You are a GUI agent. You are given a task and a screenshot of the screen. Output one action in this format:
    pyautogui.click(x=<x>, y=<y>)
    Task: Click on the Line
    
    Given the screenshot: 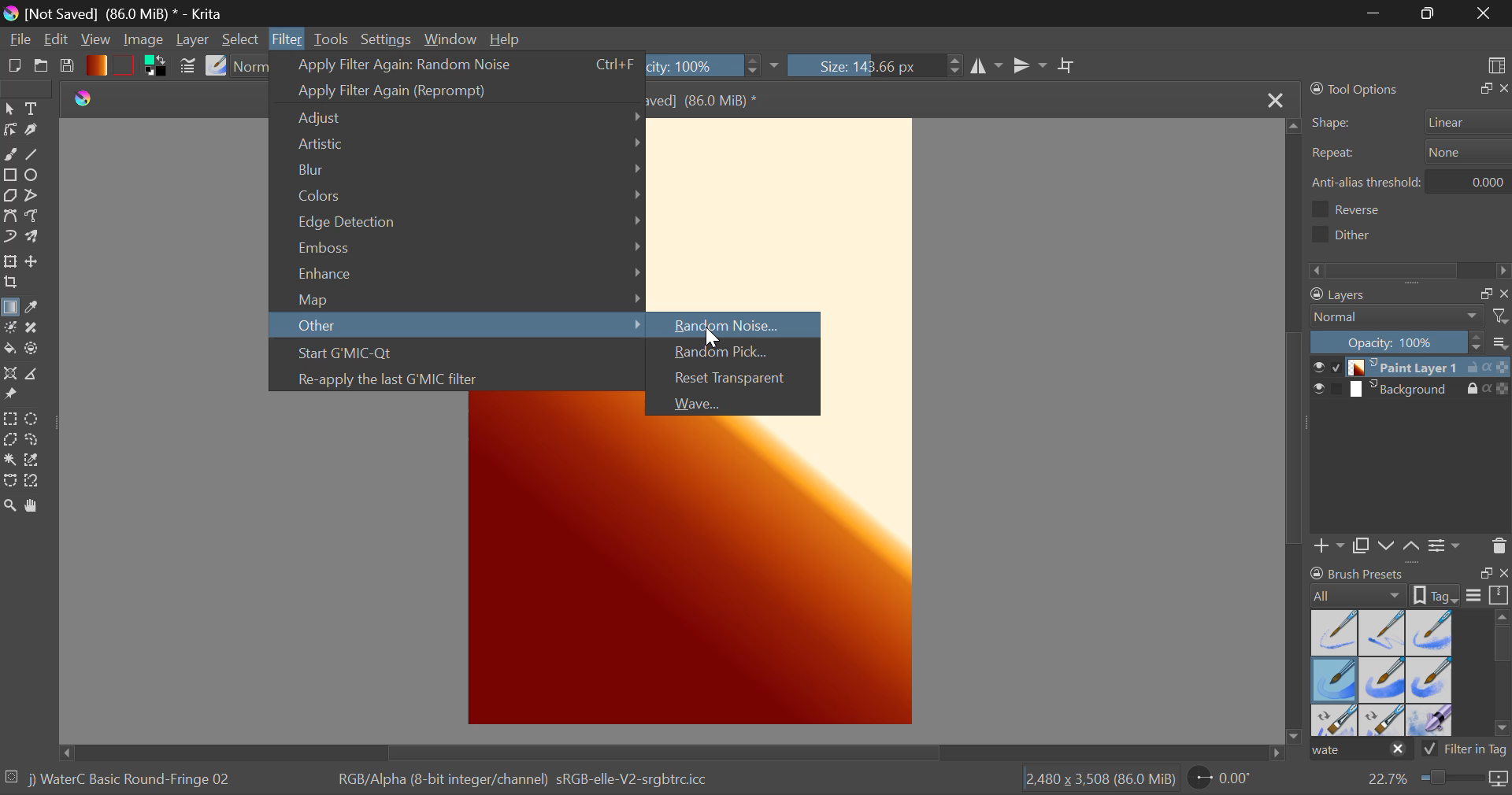 What is the action you would take?
    pyautogui.click(x=37, y=153)
    